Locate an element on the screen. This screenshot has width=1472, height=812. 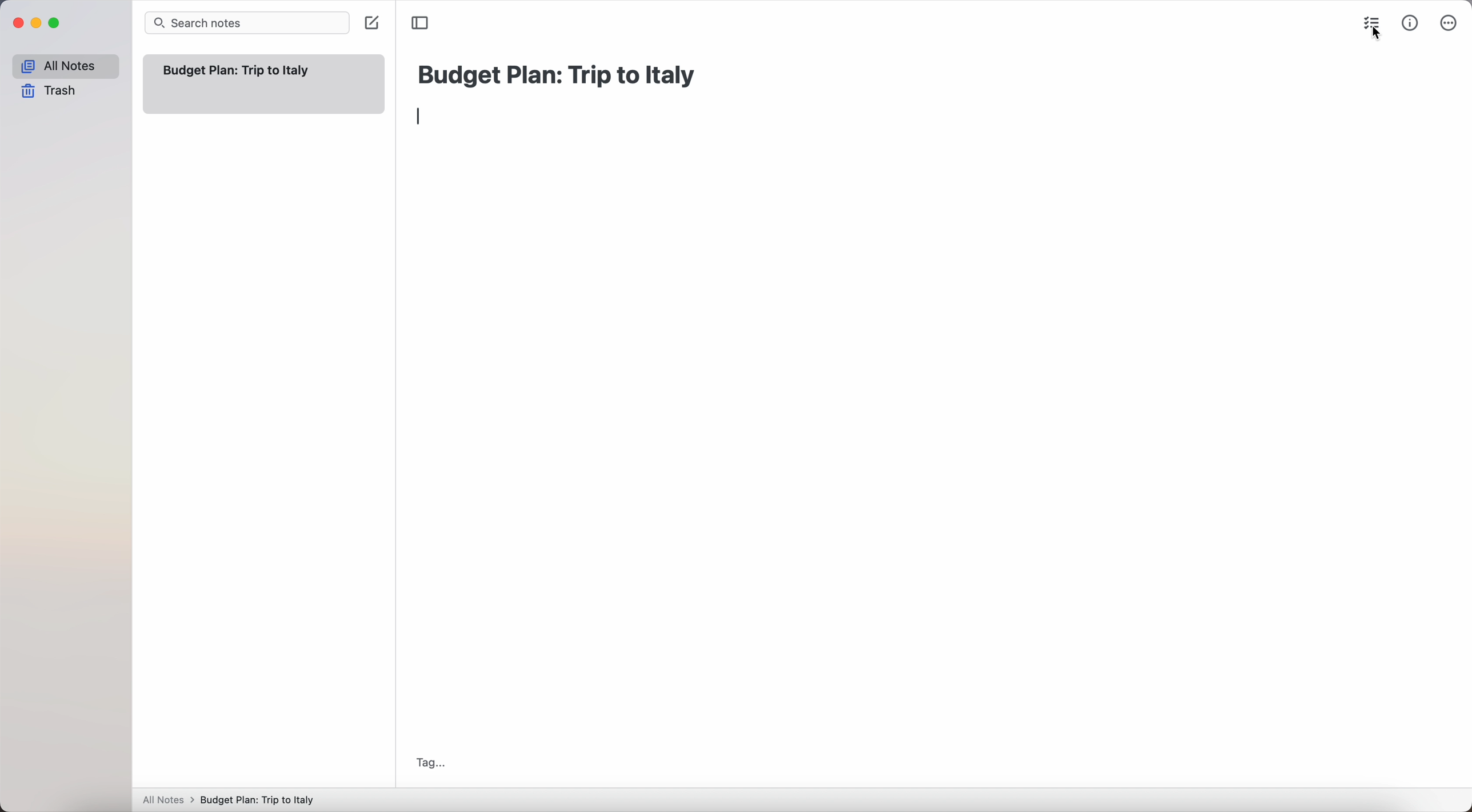
enter/writing bar is located at coordinates (421, 118).